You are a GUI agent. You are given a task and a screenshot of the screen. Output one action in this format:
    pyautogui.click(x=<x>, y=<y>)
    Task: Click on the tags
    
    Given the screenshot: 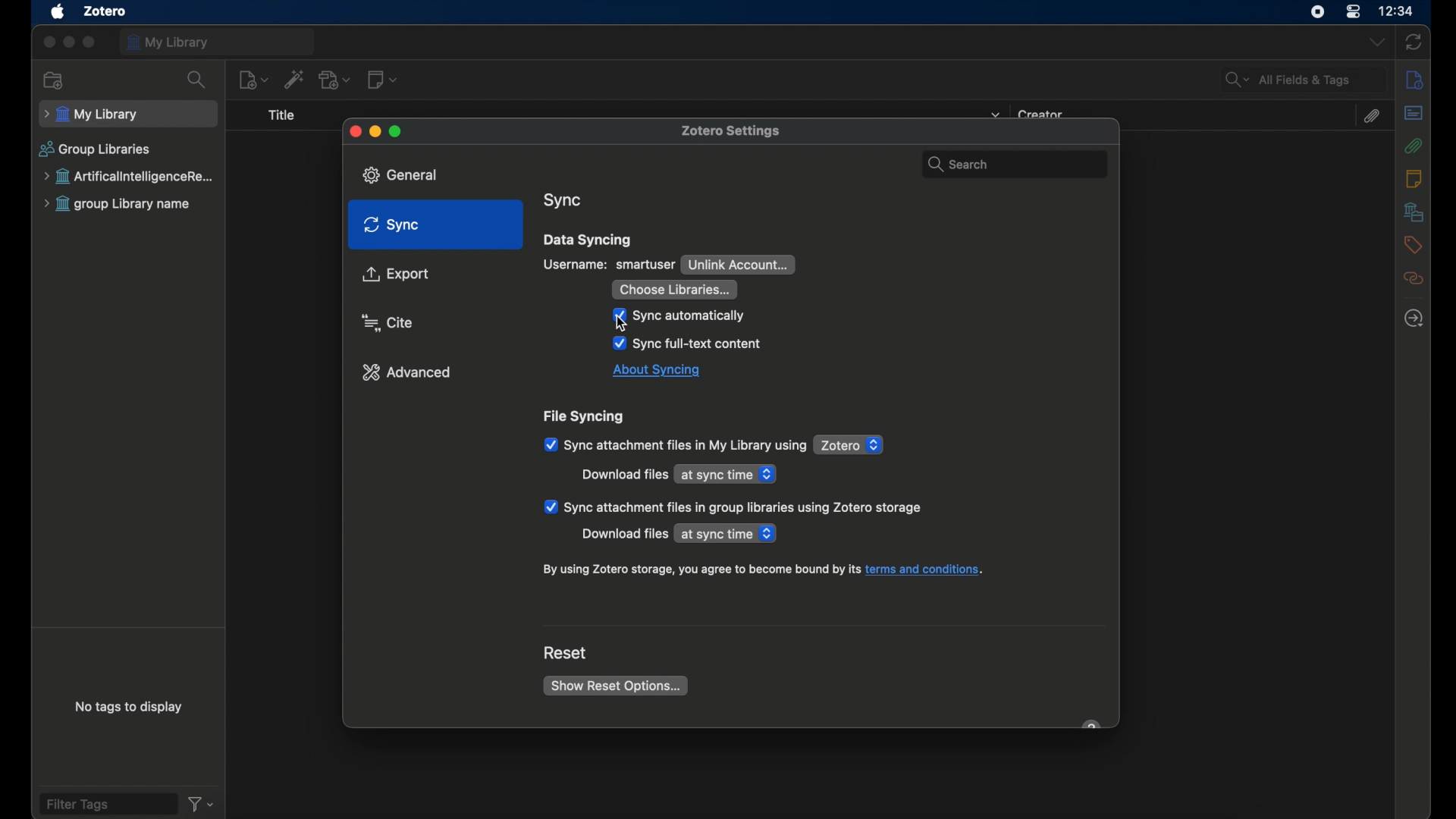 What is the action you would take?
    pyautogui.click(x=1412, y=246)
    